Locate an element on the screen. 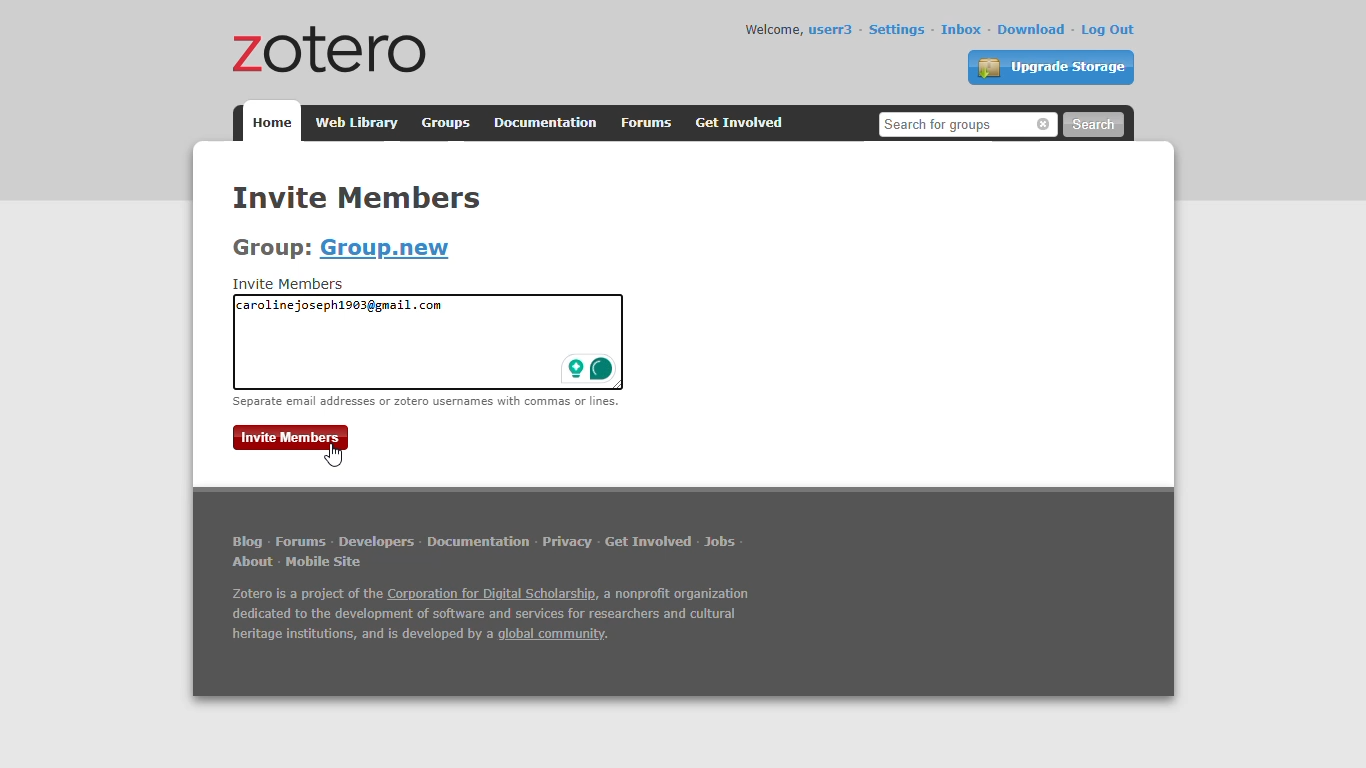 The width and height of the screenshot is (1366, 768). zotero is located at coordinates (323, 48).